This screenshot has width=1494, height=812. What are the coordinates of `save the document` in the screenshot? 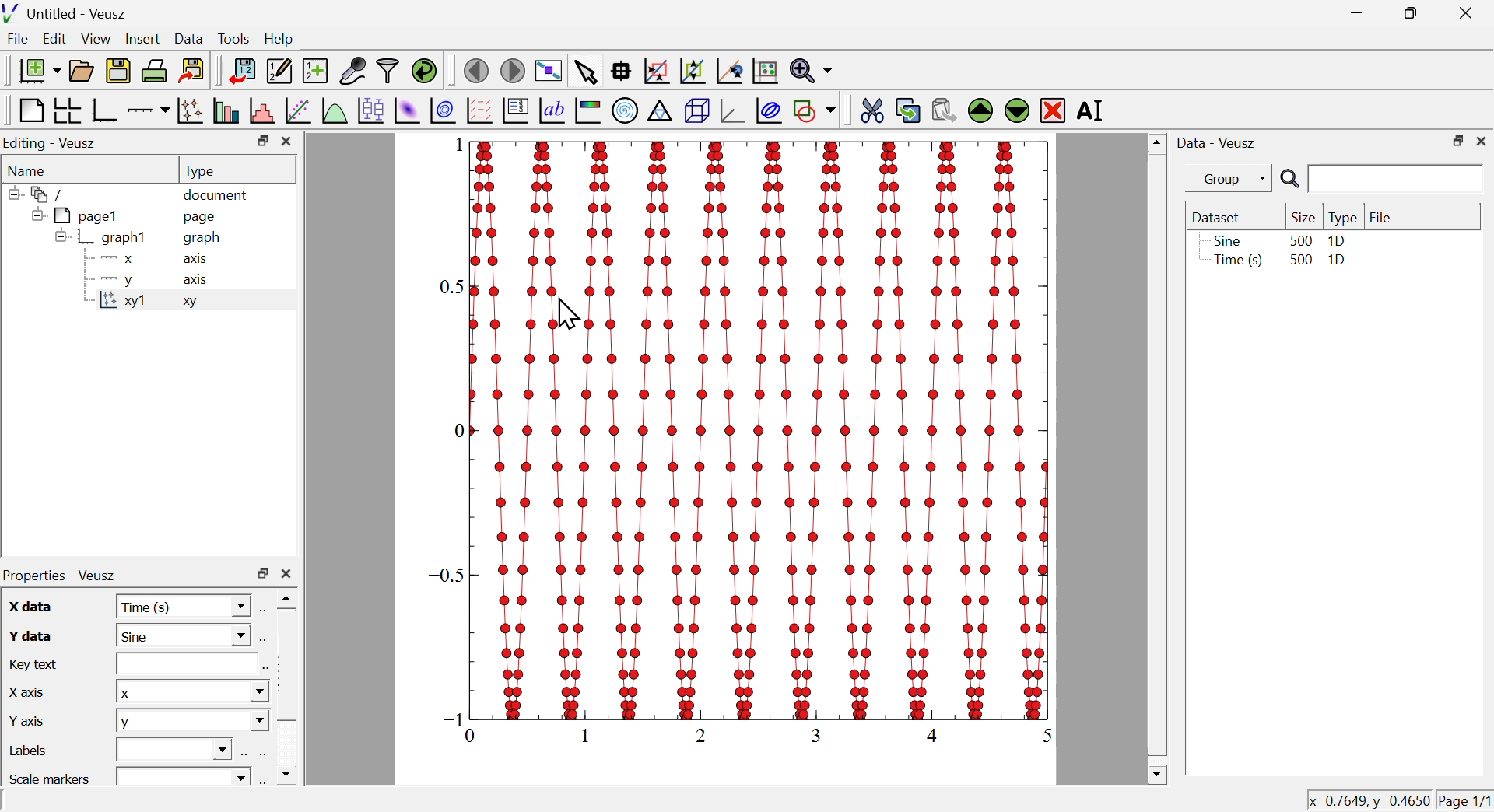 It's located at (118, 72).